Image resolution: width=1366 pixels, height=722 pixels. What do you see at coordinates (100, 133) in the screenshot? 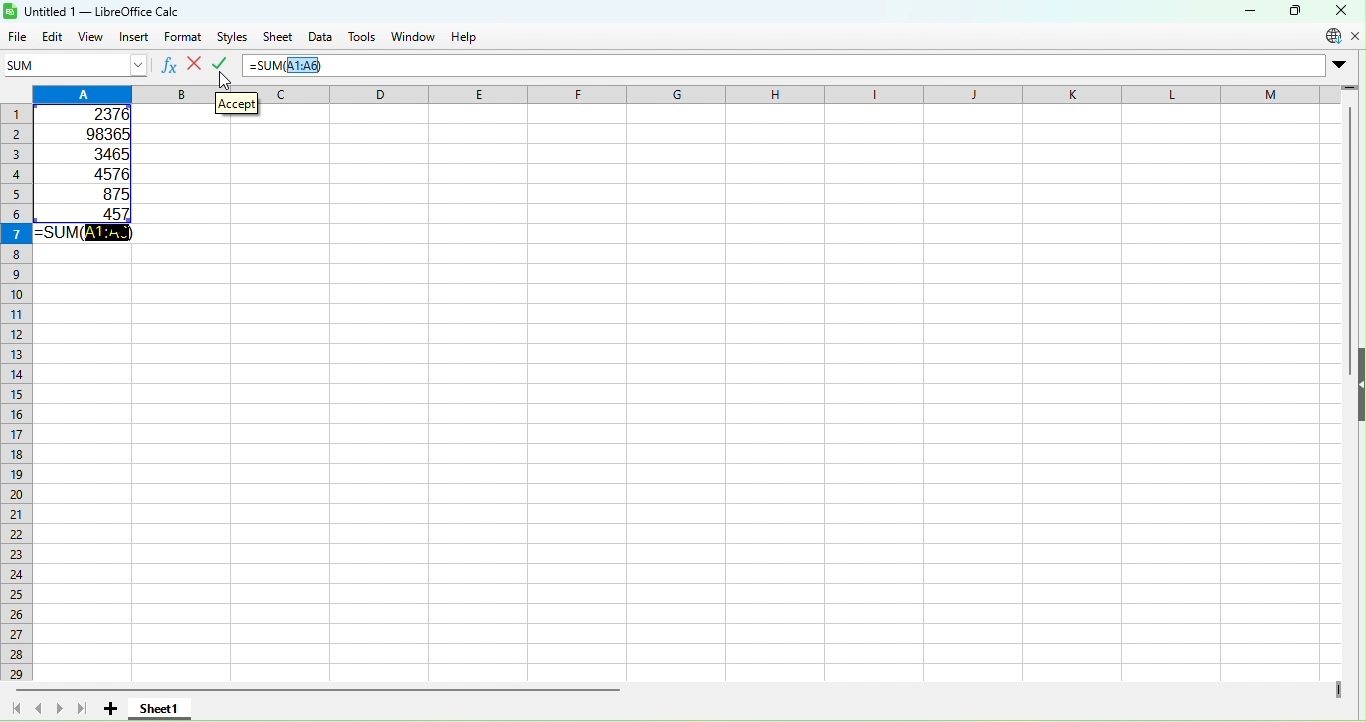
I see `98365` at bounding box center [100, 133].